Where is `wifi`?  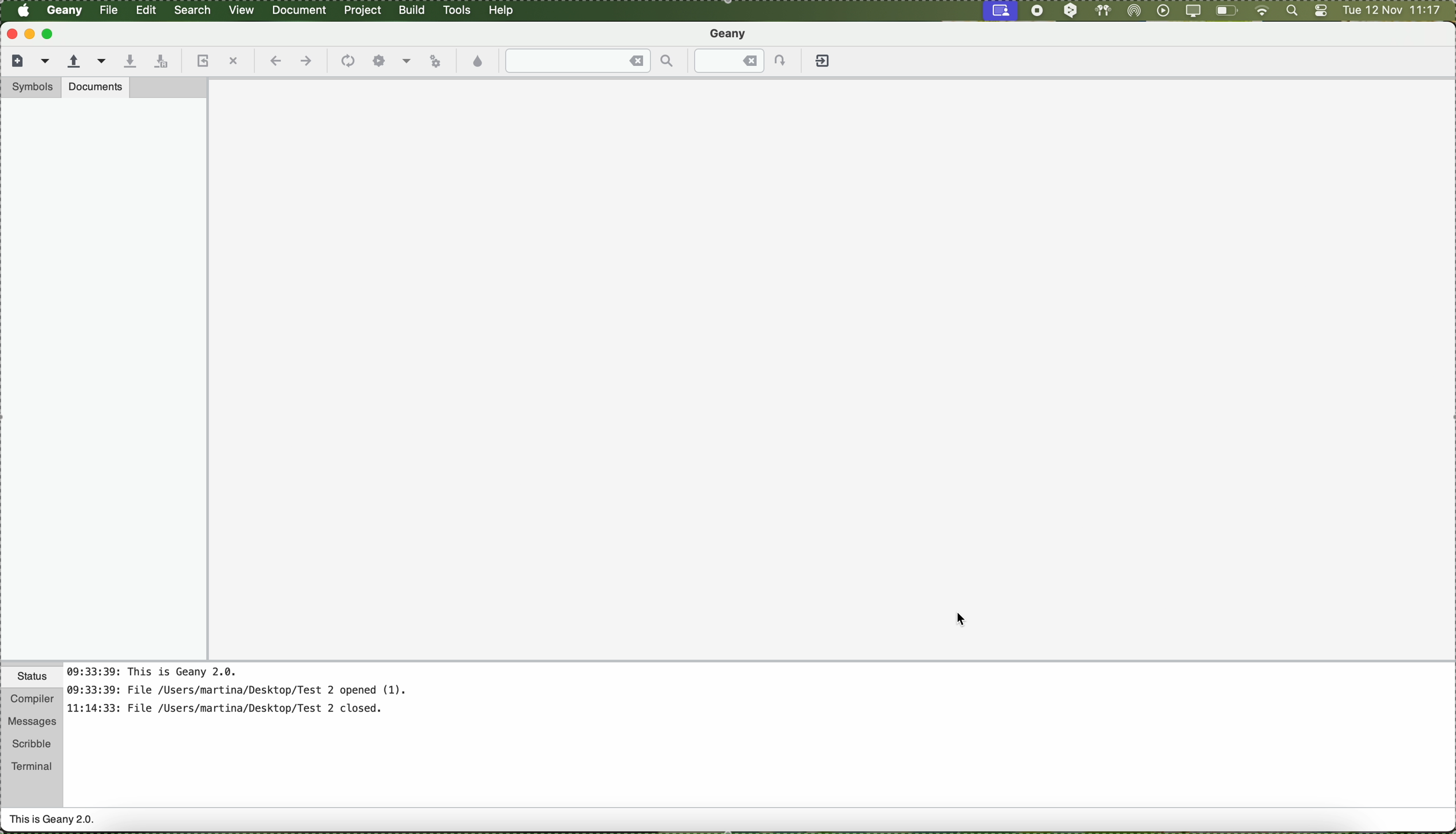 wifi is located at coordinates (1262, 11).